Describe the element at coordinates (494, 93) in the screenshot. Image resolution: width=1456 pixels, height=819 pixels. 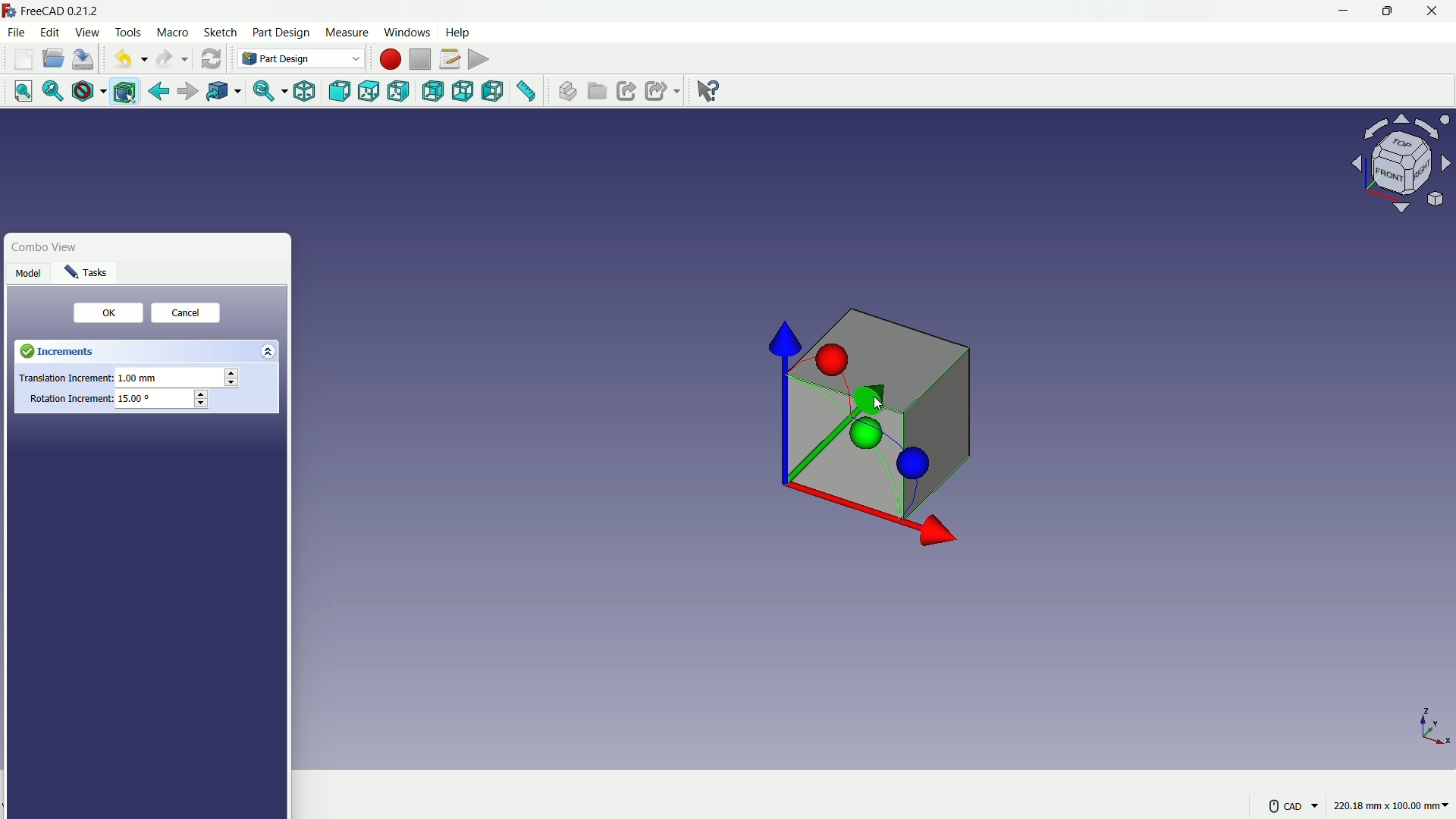
I see `left view` at that location.